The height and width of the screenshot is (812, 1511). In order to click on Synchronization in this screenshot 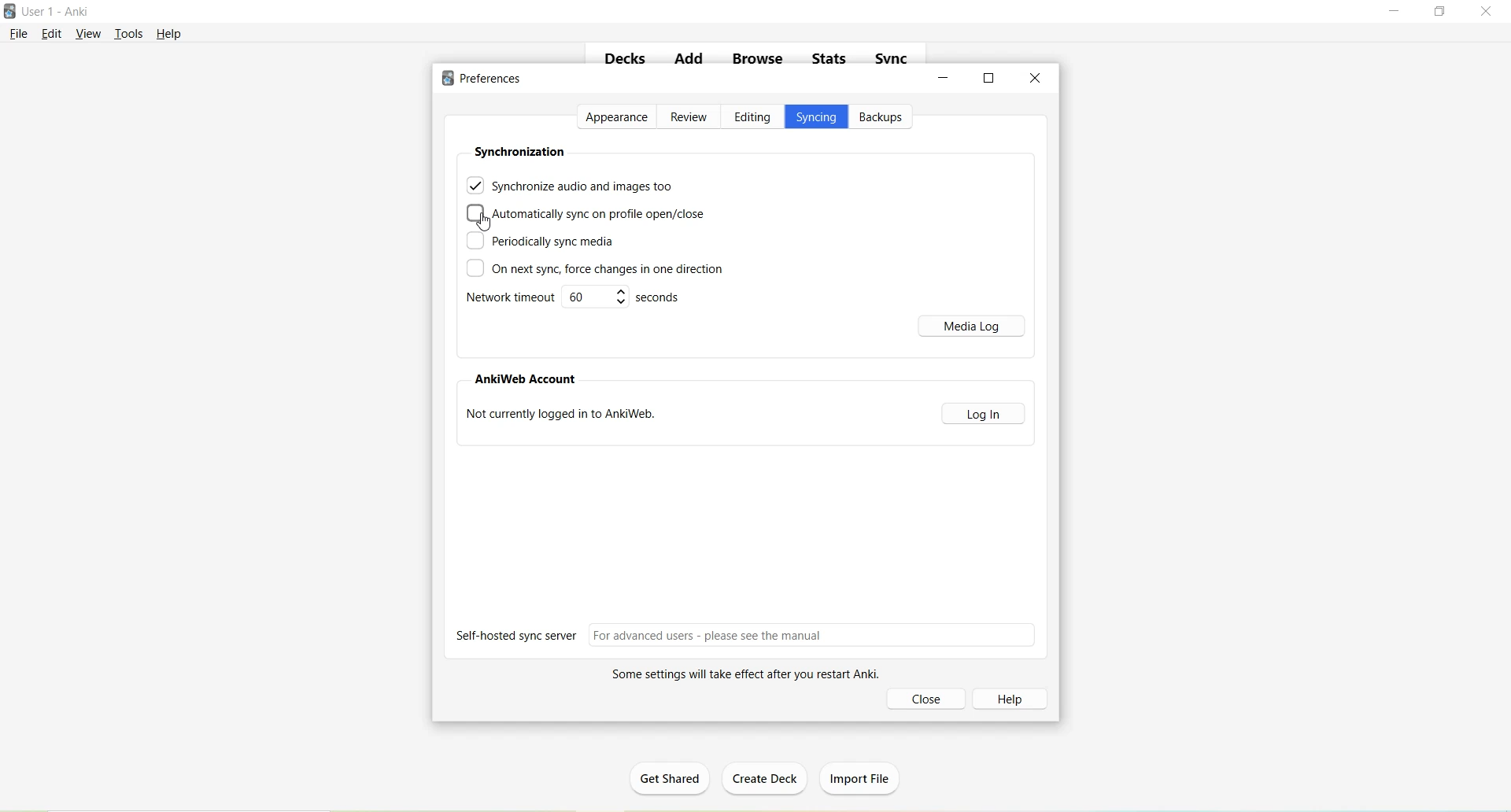, I will do `click(519, 151)`.